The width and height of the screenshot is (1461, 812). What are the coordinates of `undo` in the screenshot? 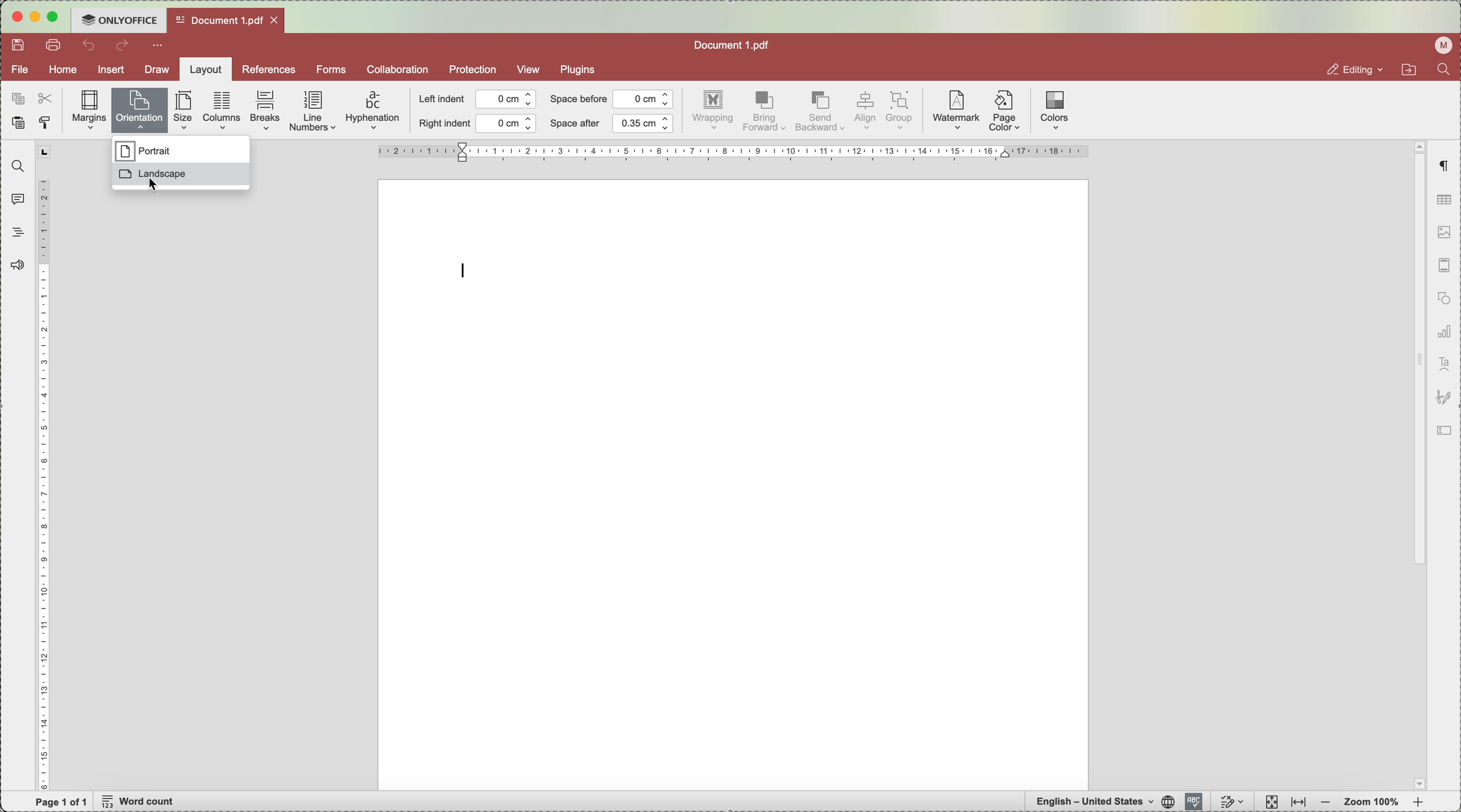 It's located at (90, 45).